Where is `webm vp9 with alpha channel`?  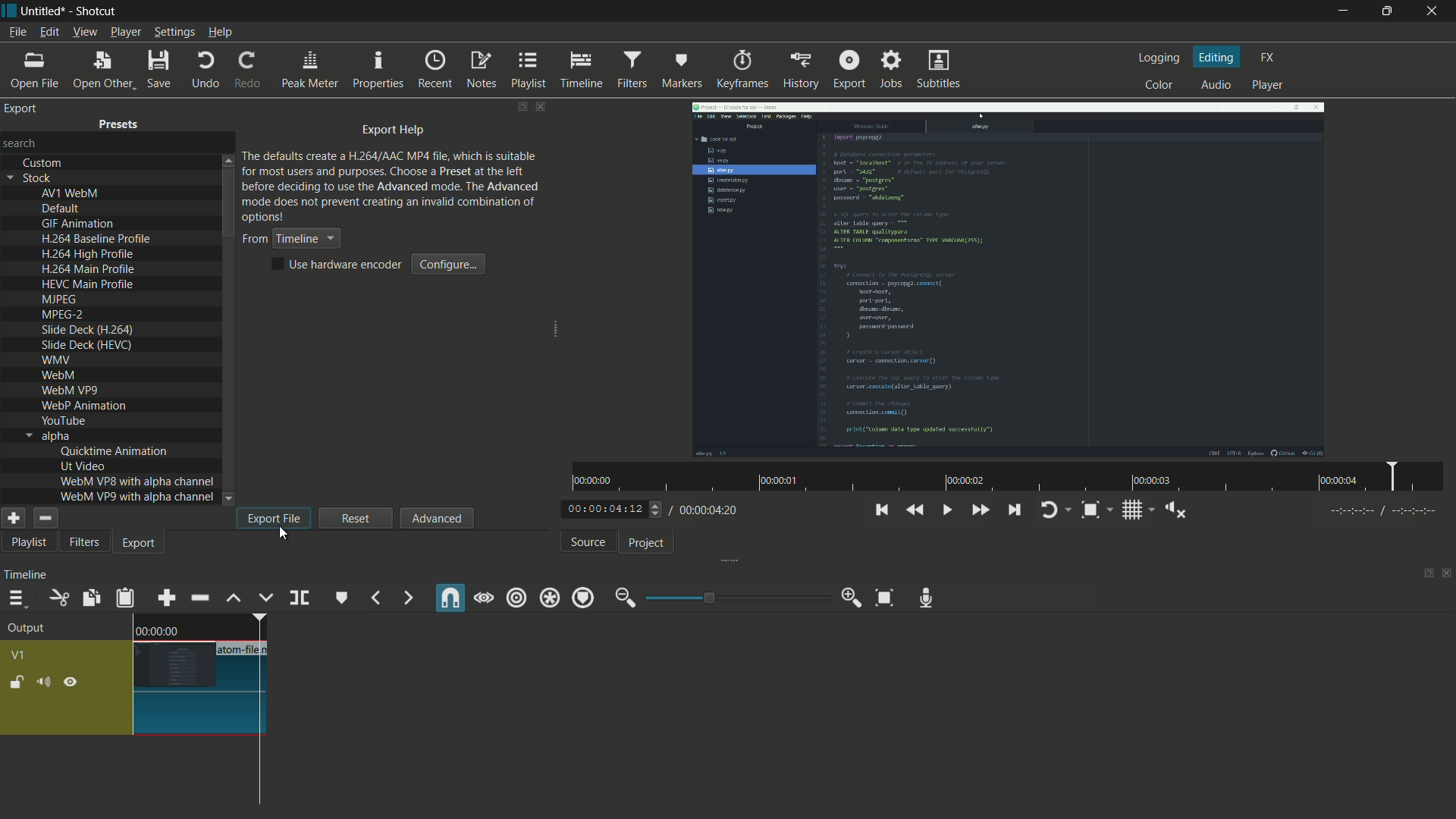 webm vp9 with alpha channel is located at coordinates (137, 497).